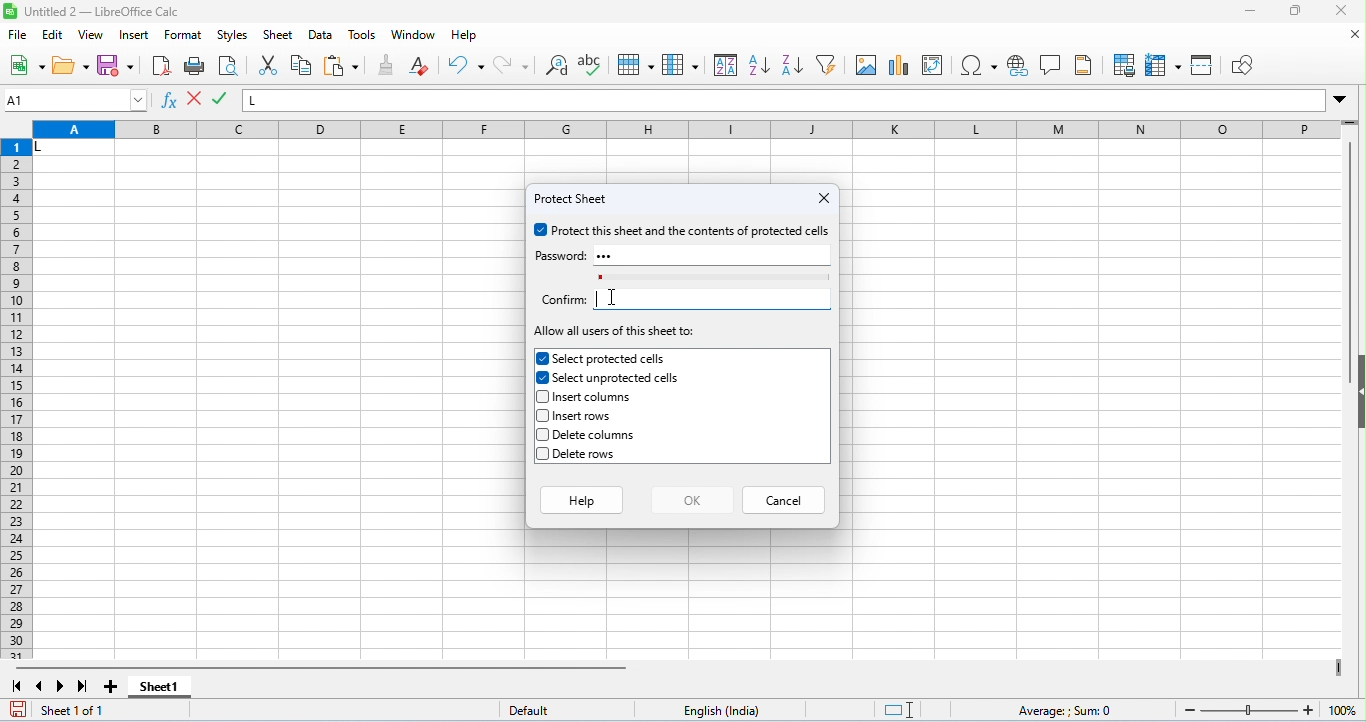 Image resolution: width=1366 pixels, height=722 pixels. What do you see at coordinates (901, 710) in the screenshot?
I see `standard selection` at bounding box center [901, 710].